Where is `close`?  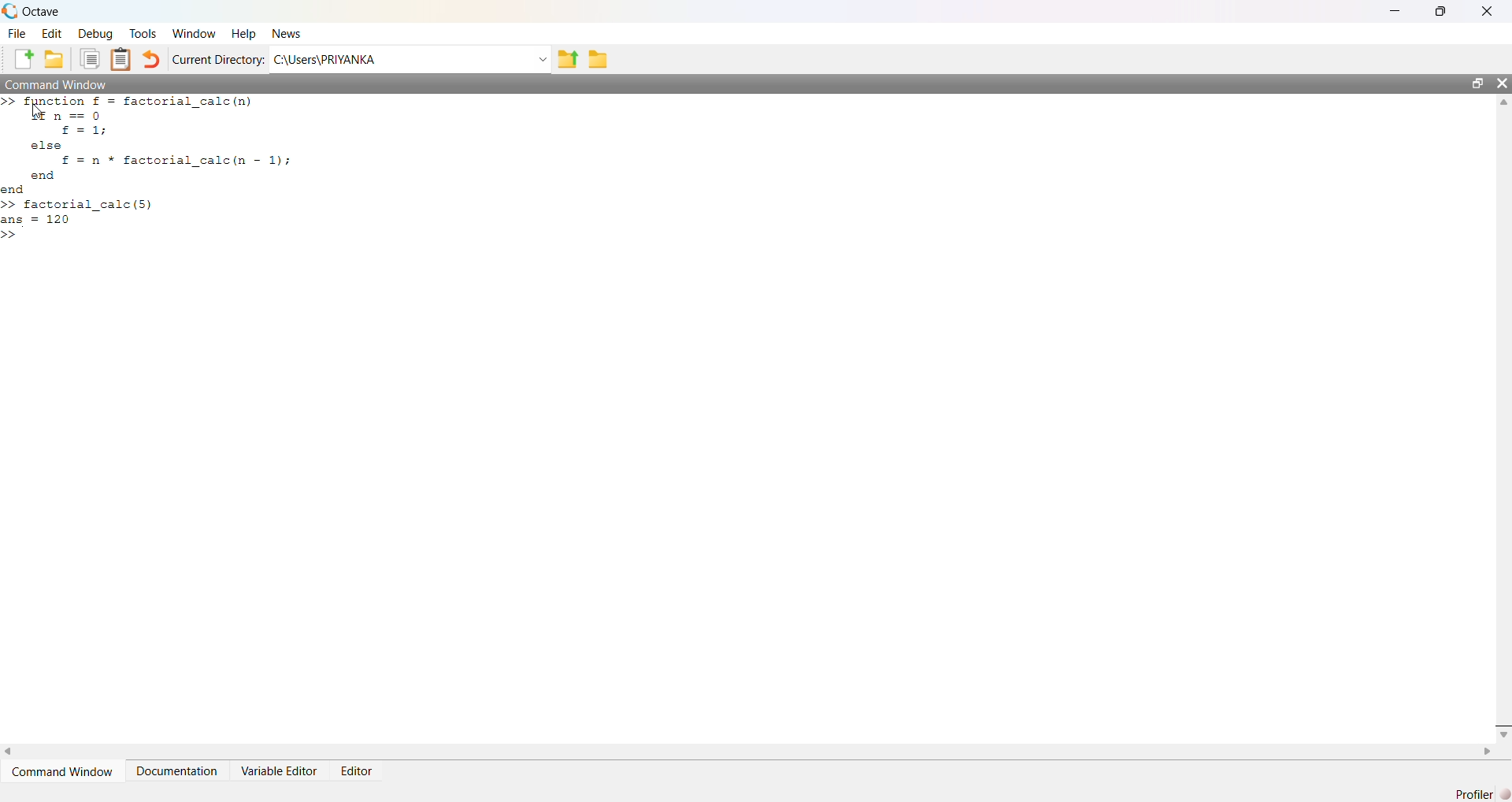
close is located at coordinates (1490, 10).